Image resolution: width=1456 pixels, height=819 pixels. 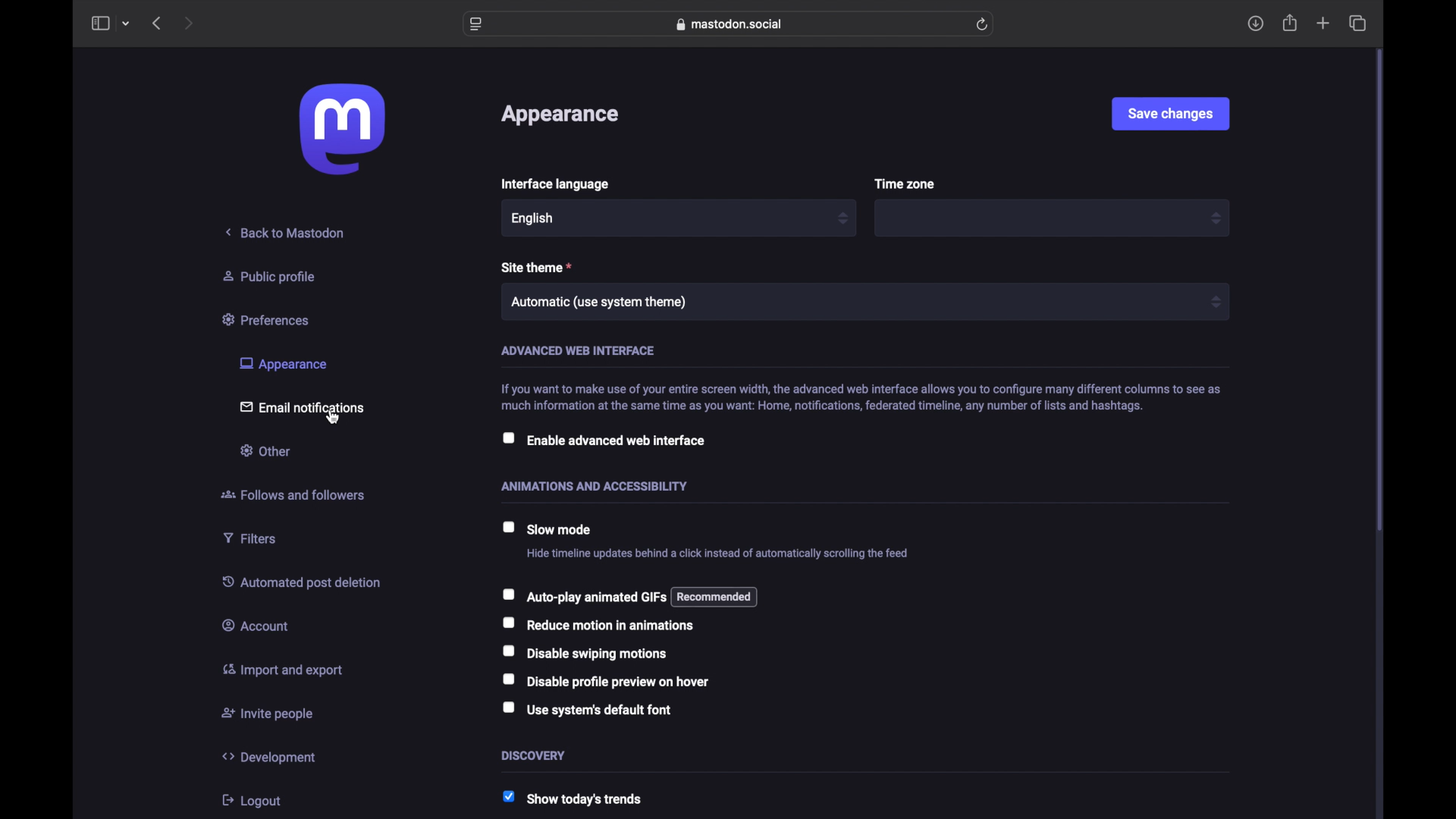 What do you see at coordinates (286, 232) in the screenshot?
I see `back to mastodon` at bounding box center [286, 232].